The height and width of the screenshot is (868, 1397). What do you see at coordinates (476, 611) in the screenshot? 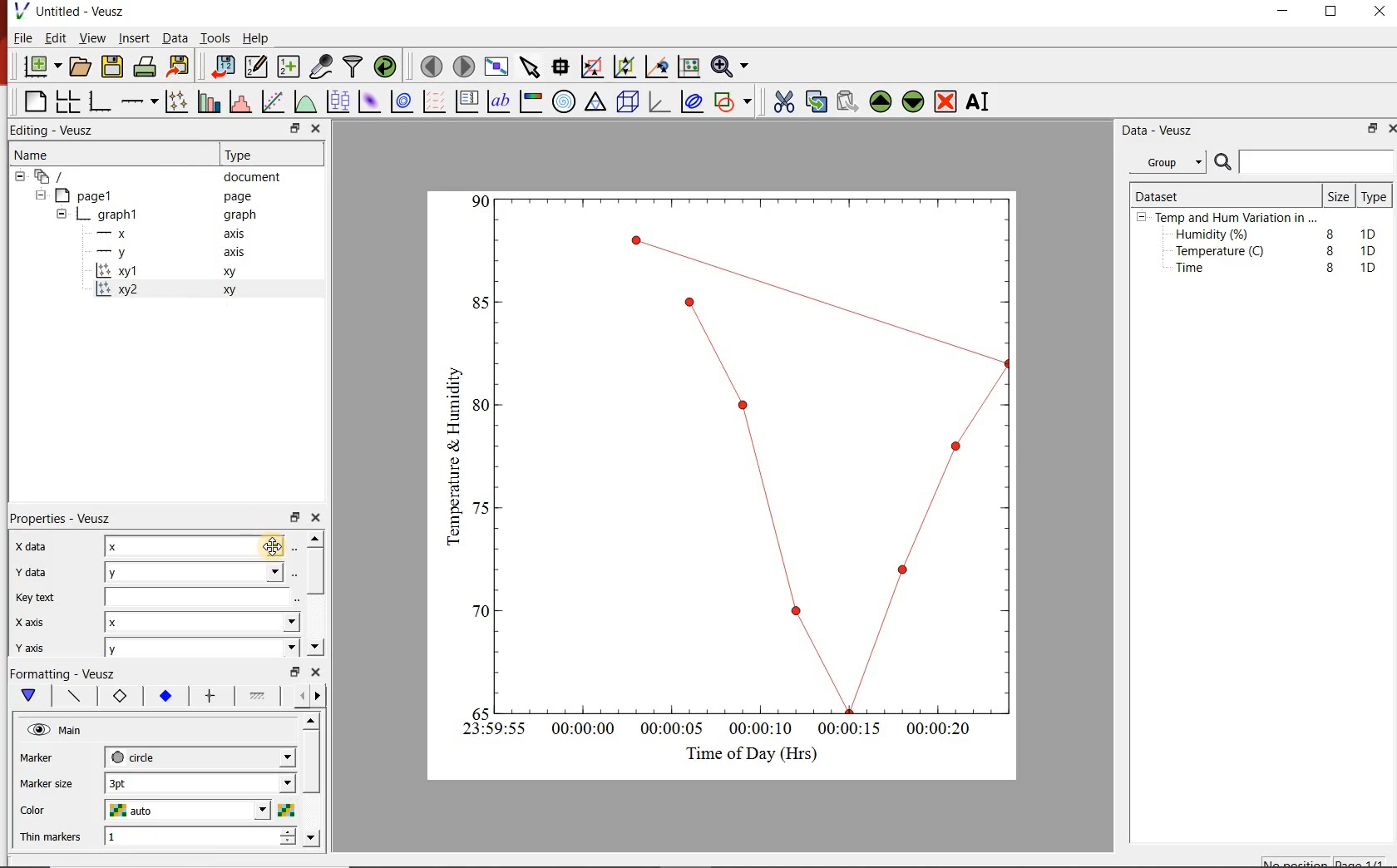
I see `0.2` at bounding box center [476, 611].